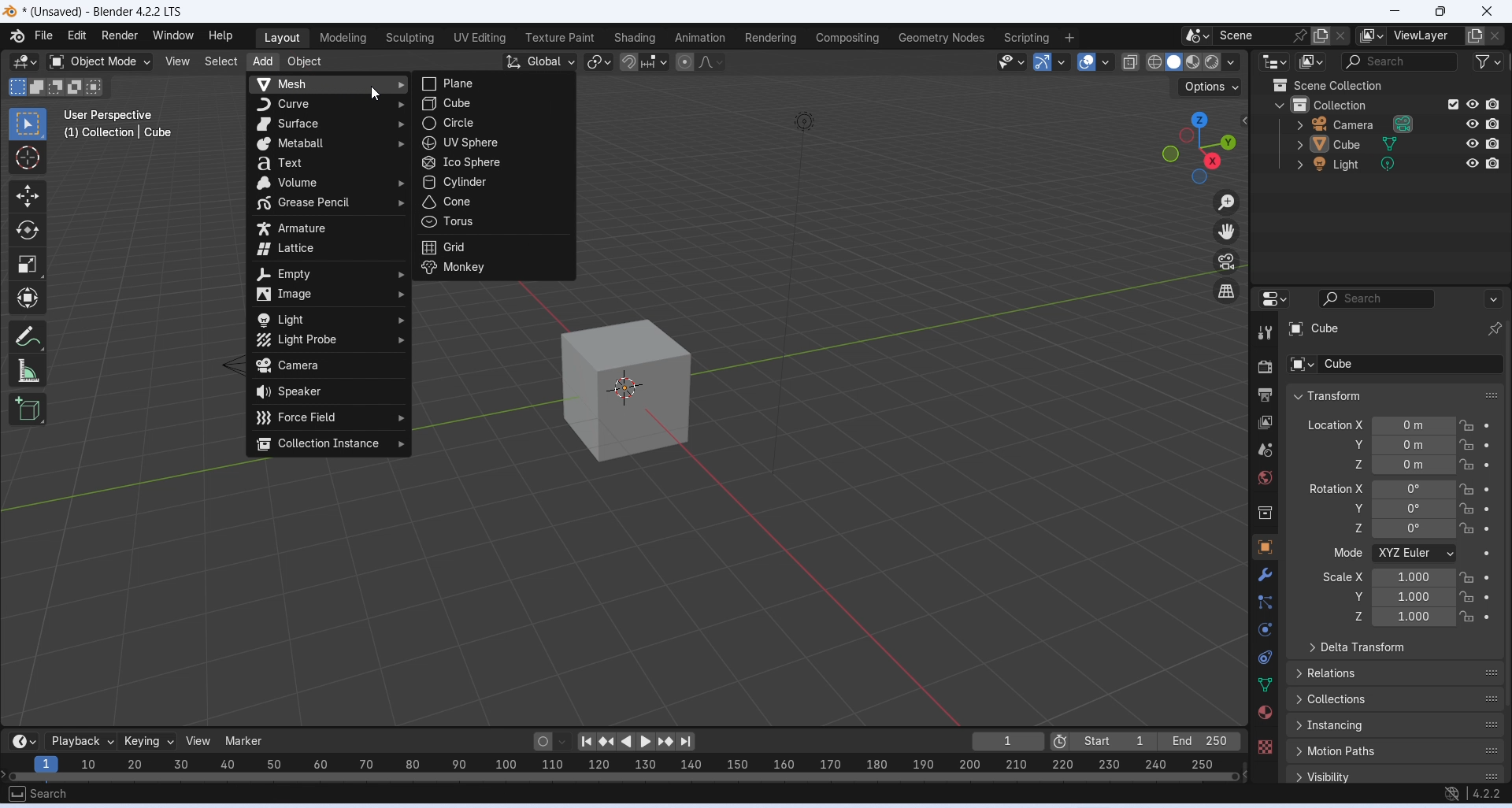  I want to click on proportional editing objects, so click(686, 62).